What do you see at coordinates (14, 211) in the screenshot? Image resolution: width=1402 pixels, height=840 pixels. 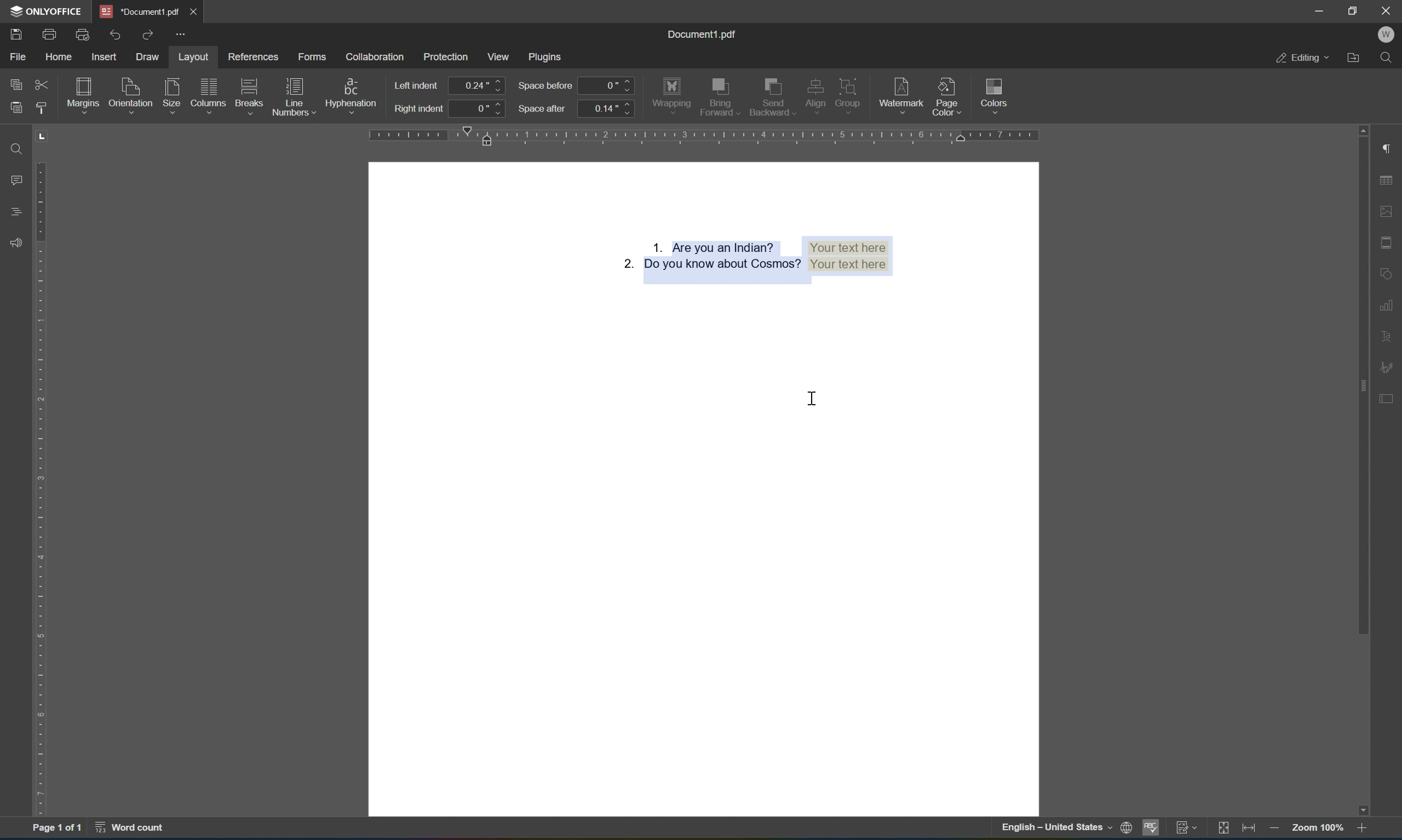 I see `headings` at bounding box center [14, 211].